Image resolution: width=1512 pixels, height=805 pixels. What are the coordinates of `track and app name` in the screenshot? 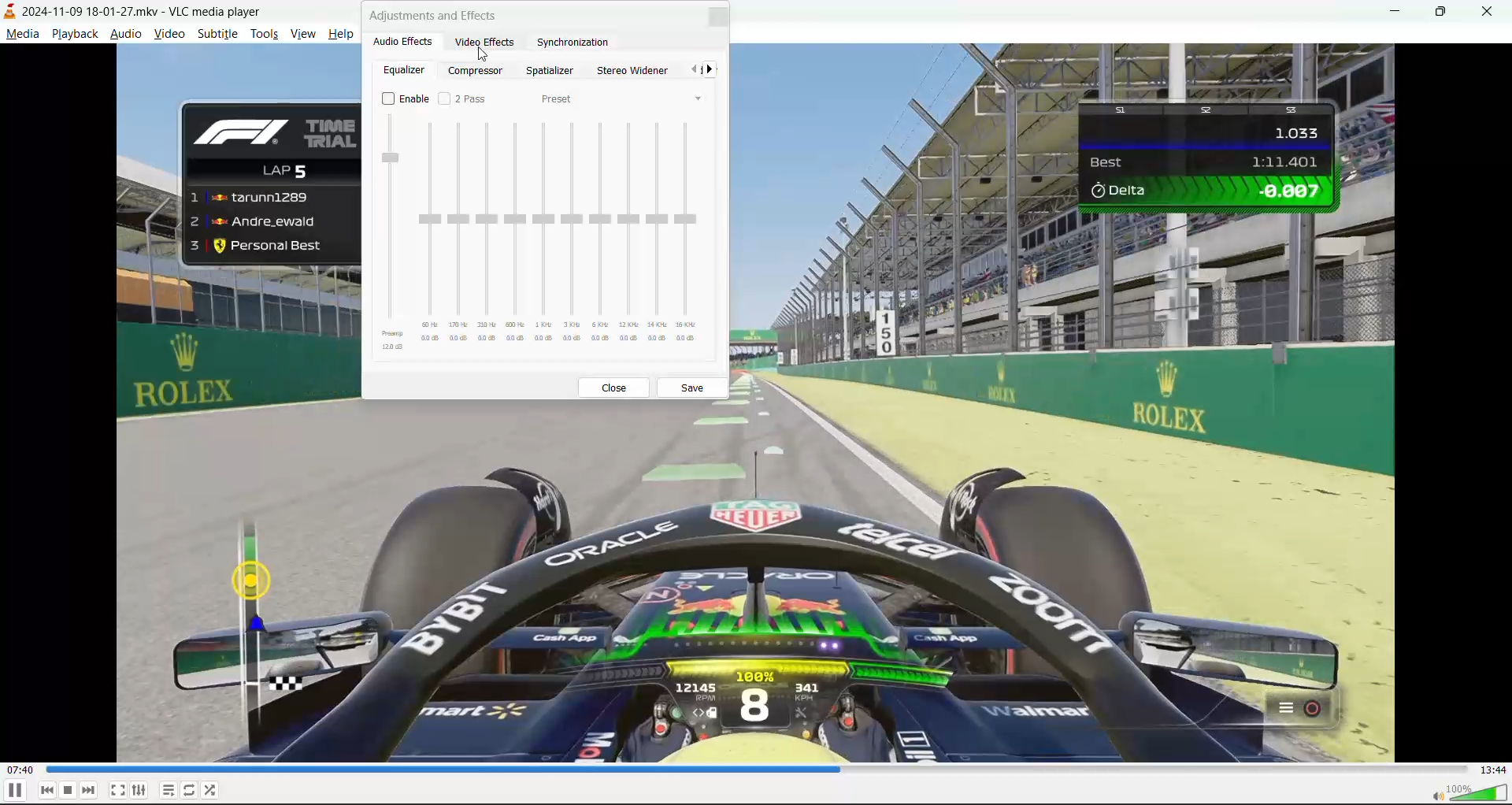 It's located at (135, 10).